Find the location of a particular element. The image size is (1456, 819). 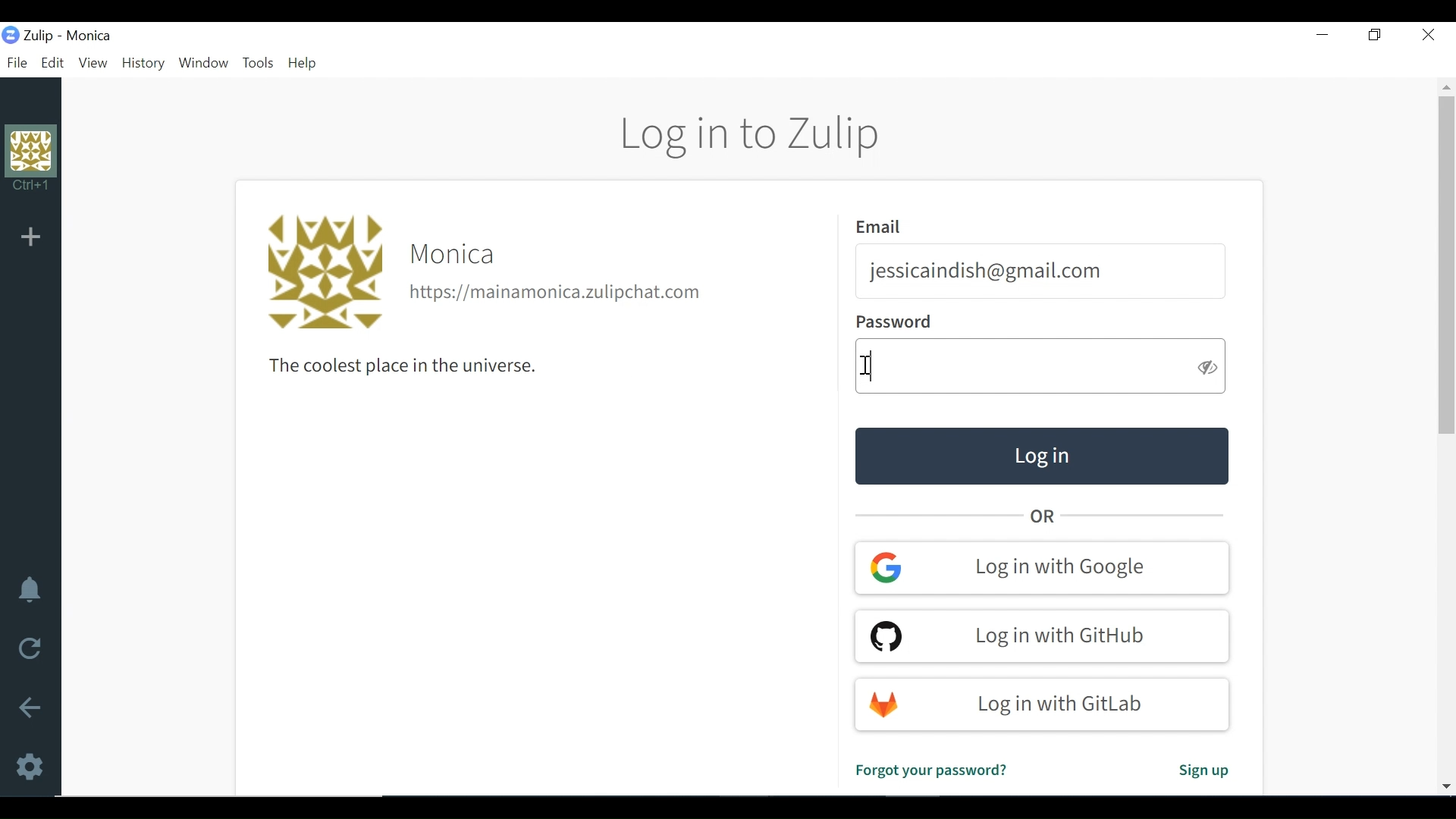

Vertical Scroll bar  is located at coordinates (1447, 265).